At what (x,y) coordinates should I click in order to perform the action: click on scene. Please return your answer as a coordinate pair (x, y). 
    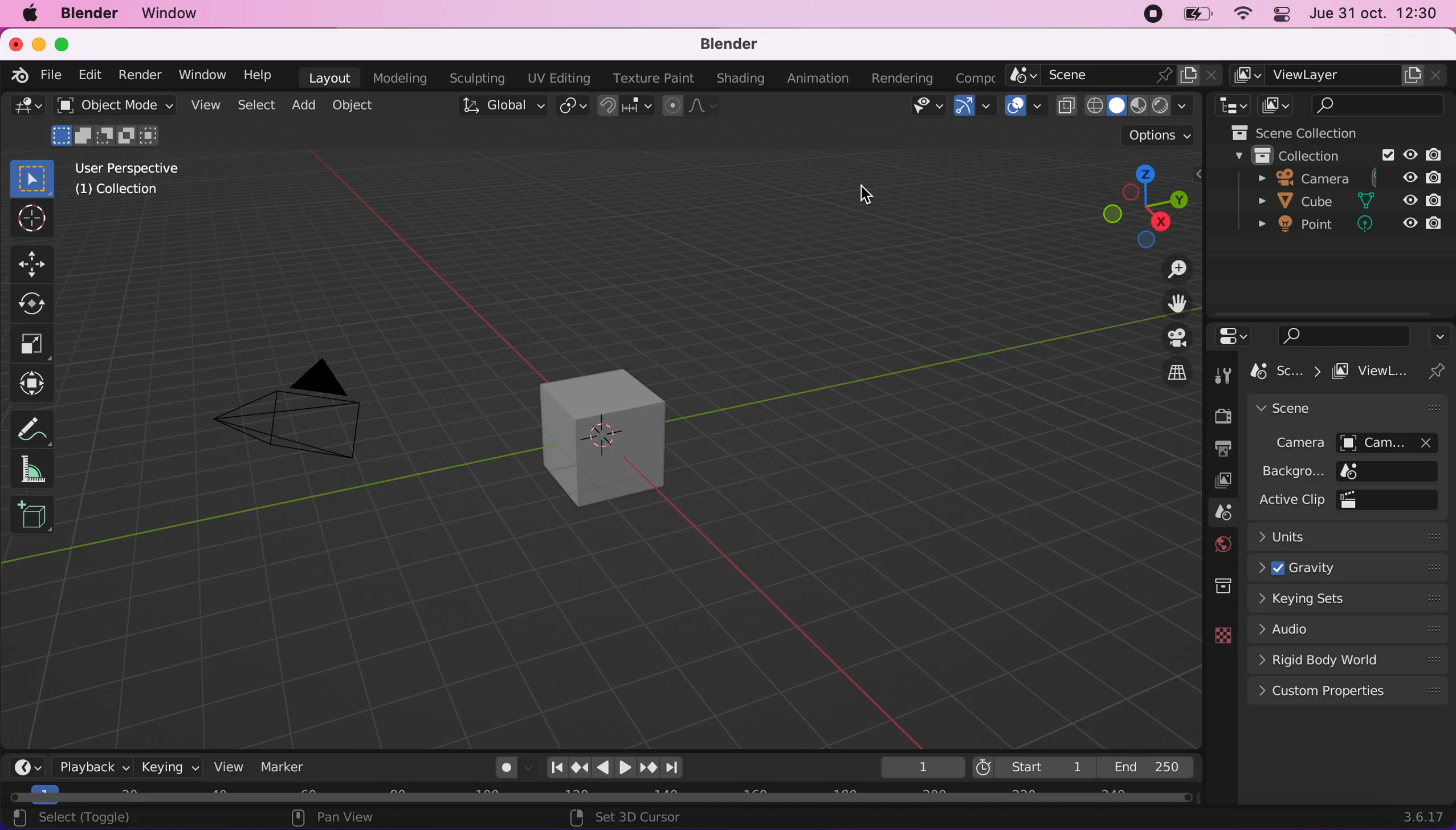
    Looking at the image, I should click on (1340, 409).